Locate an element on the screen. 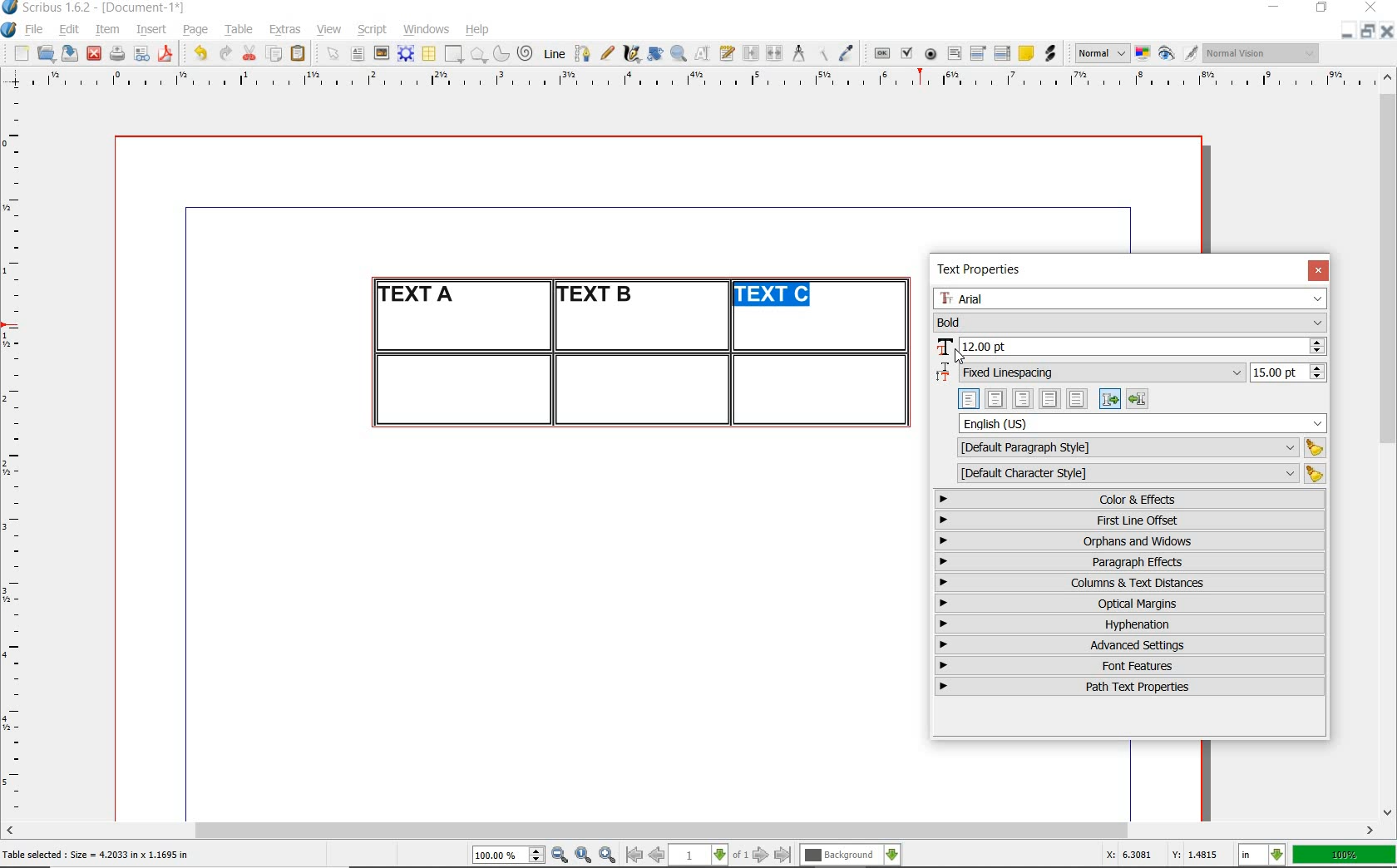 The width and height of the screenshot is (1397, 868). go to last page is located at coordinates (783, 856).